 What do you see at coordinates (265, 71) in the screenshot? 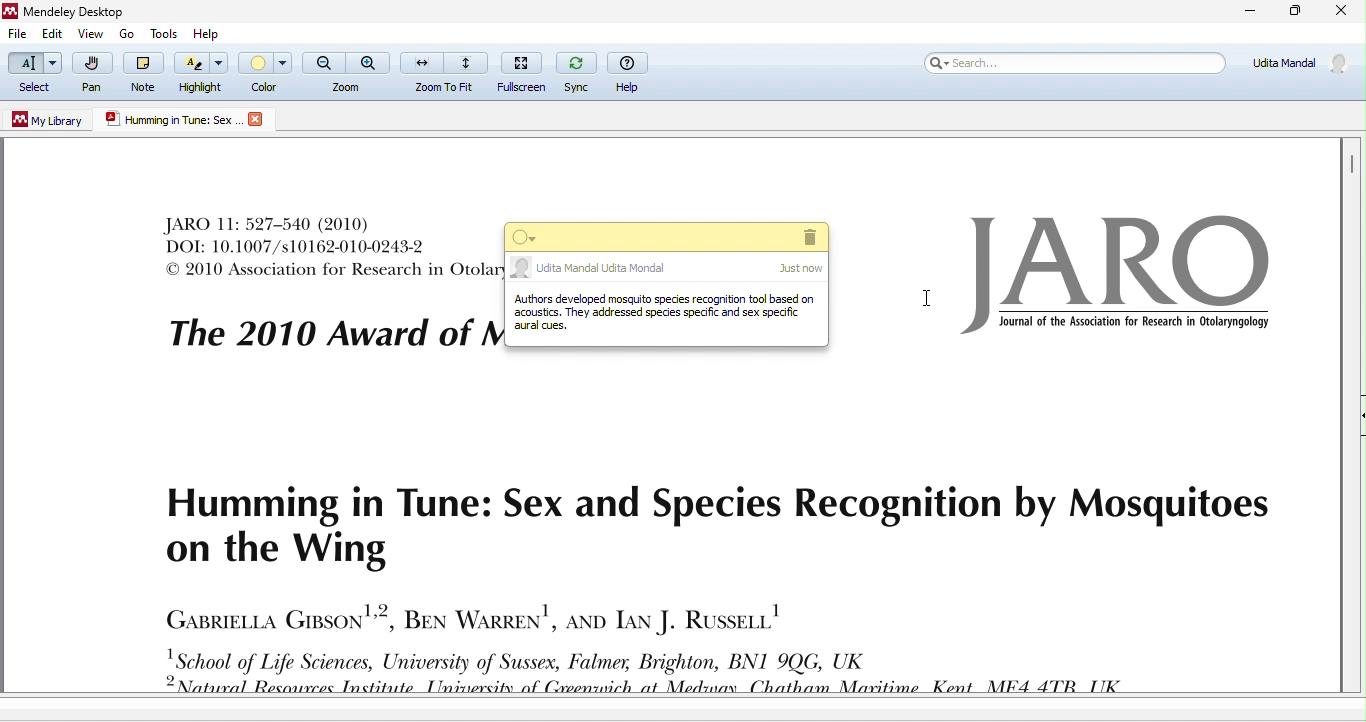
I see `color` at bounding box center [265, 71].